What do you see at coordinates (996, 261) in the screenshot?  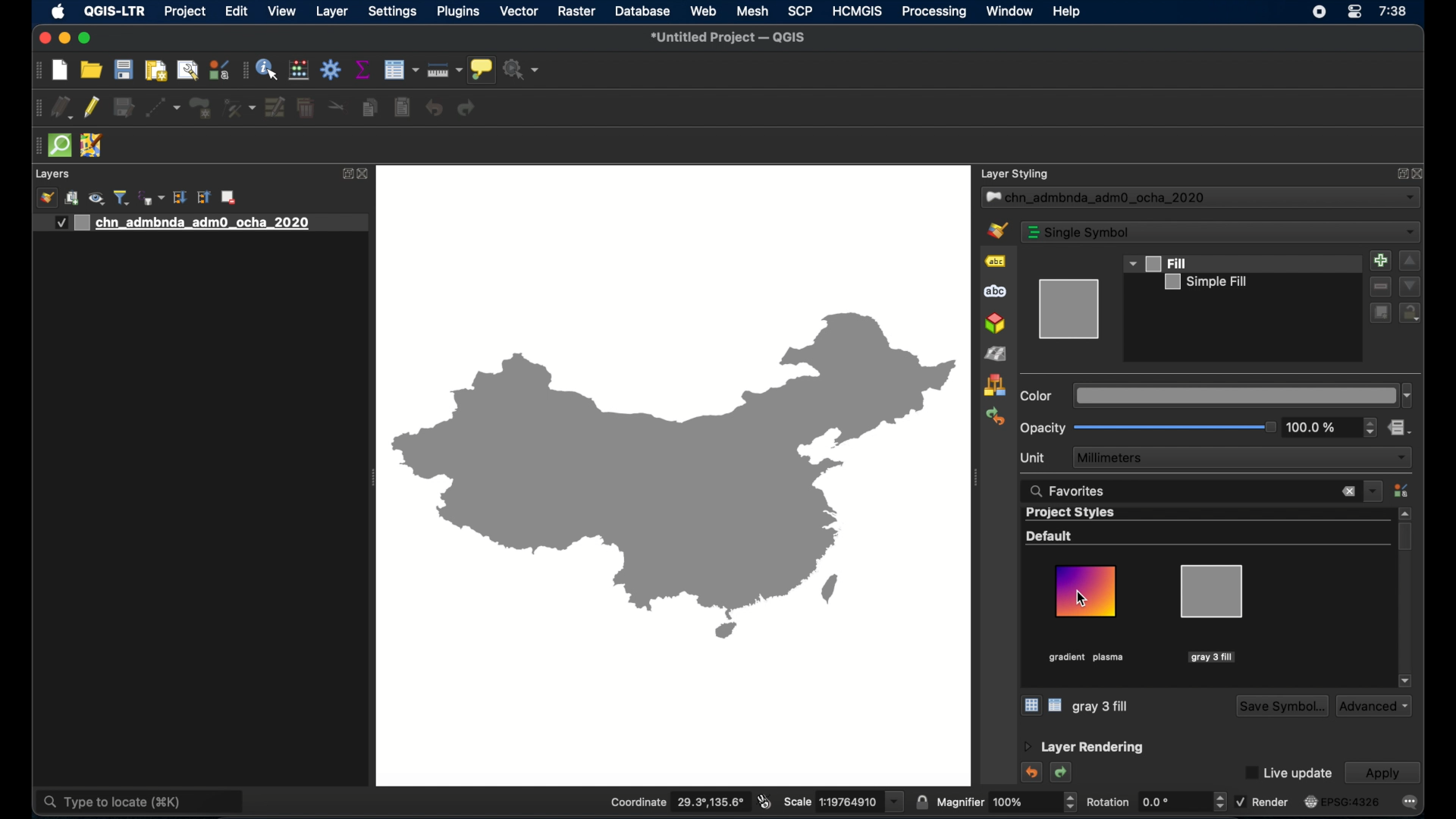 I see `labels` at bounding box center [996, 261].